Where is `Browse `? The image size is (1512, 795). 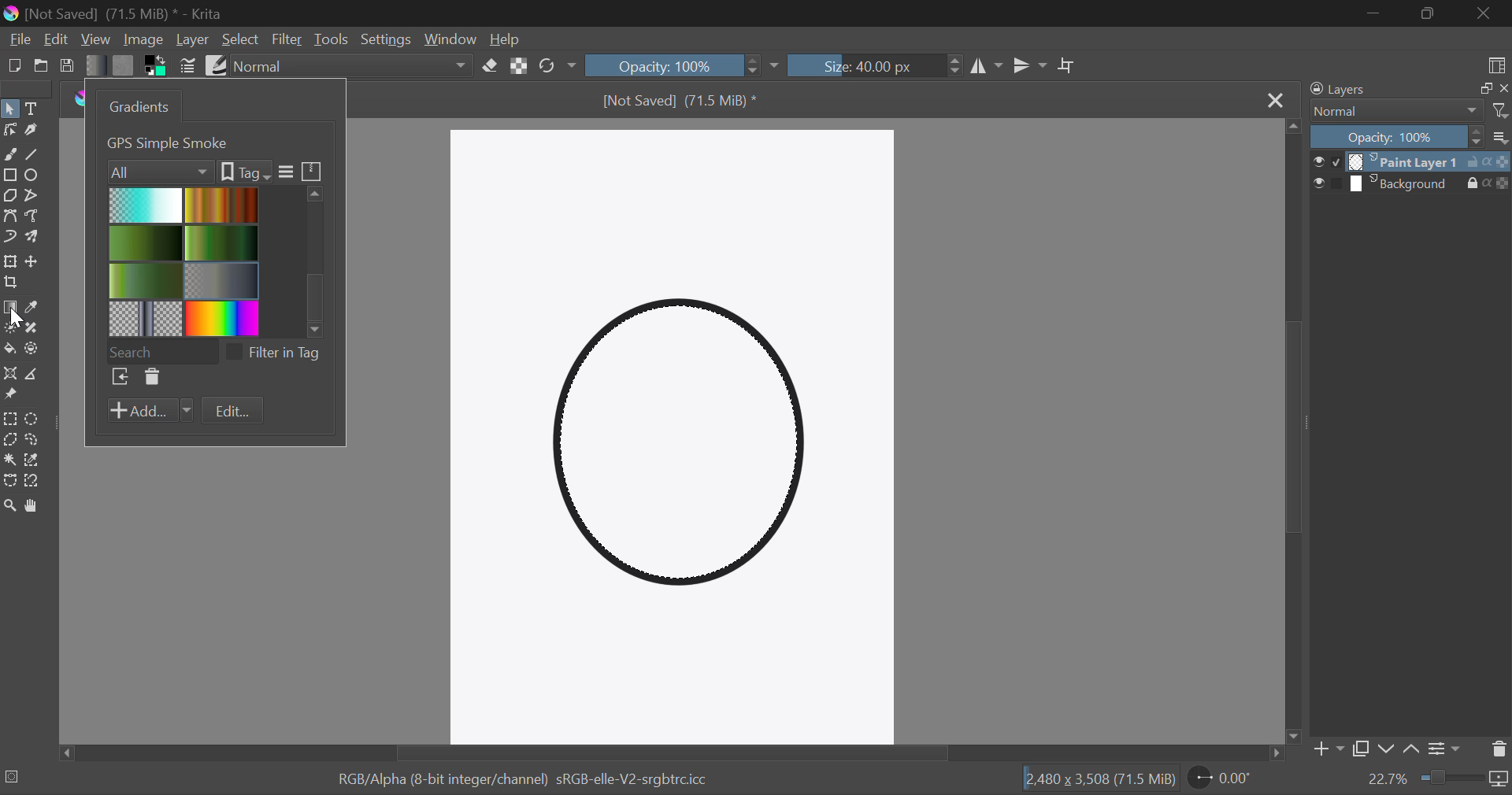
Browse  is located at coordinates (120, 377).